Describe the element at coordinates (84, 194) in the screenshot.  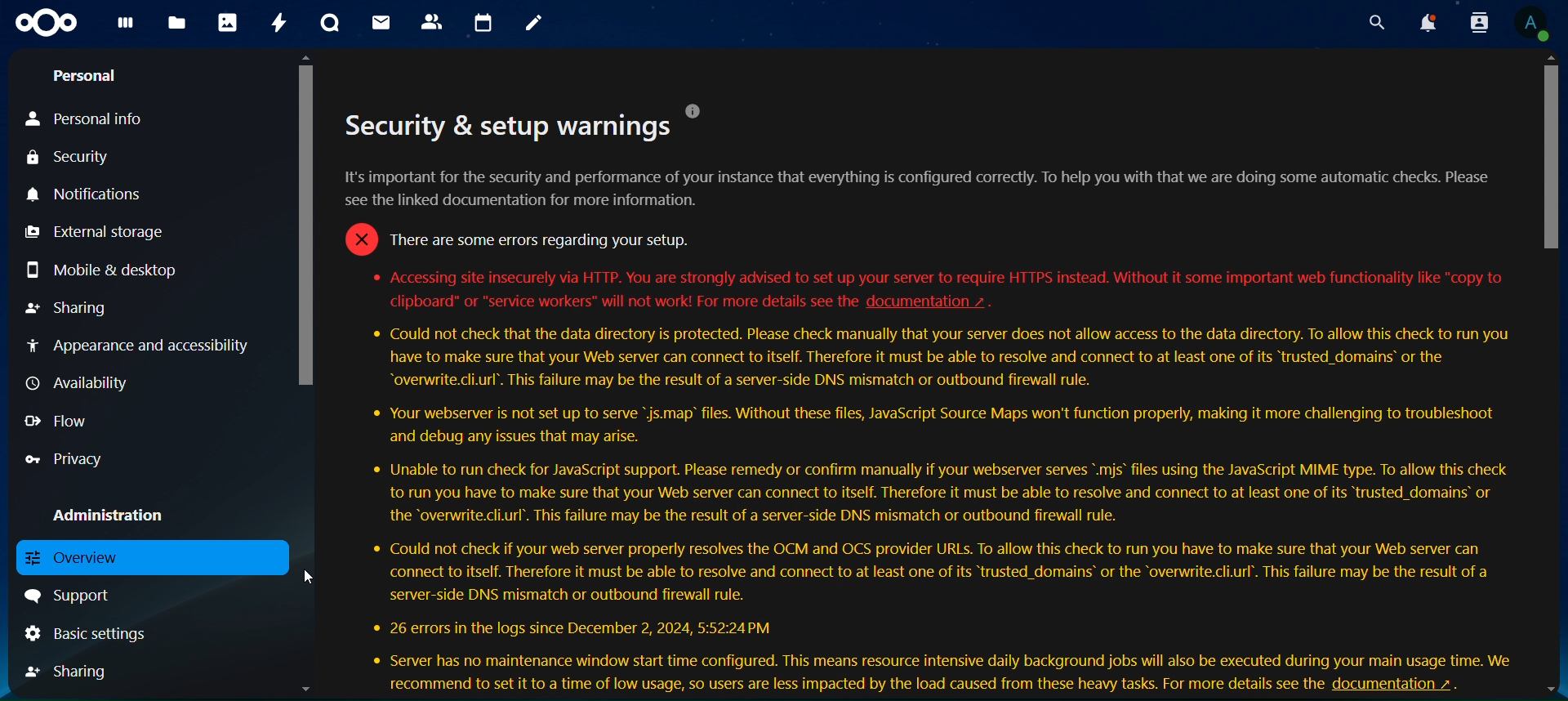
I see `notifications` at that location.